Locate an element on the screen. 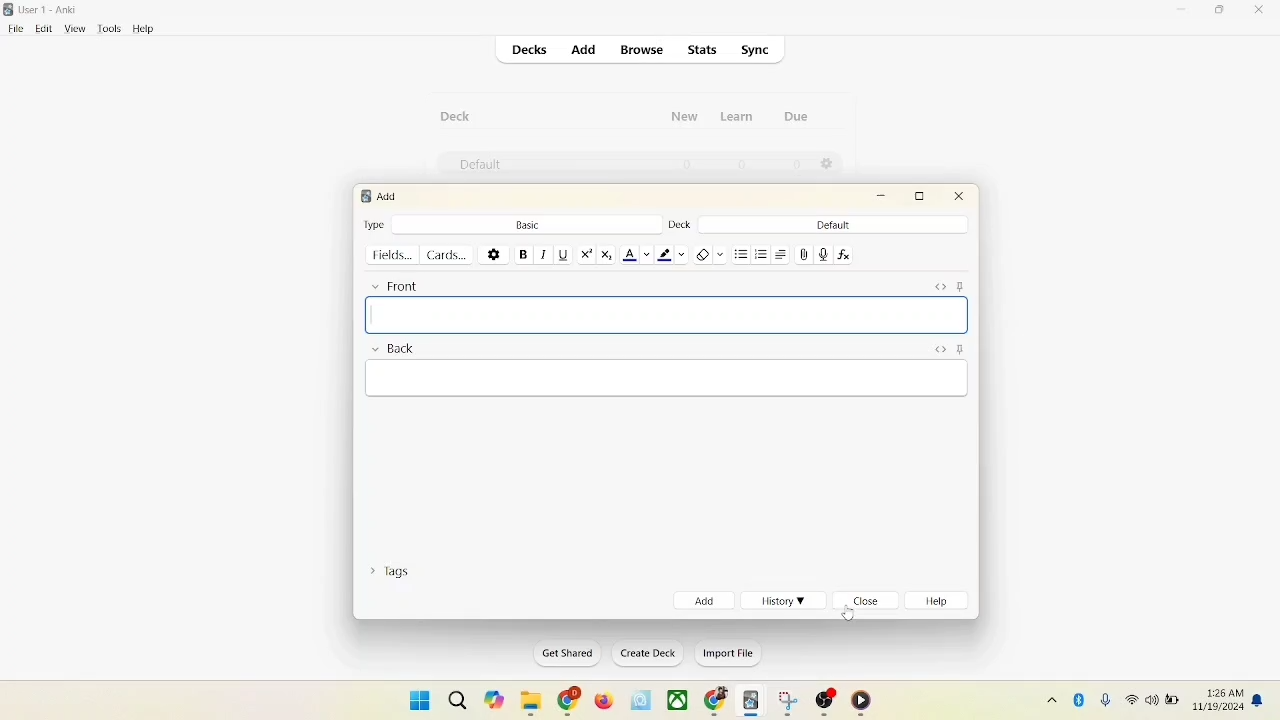 The height and width of the screenshot is (720, 1280). close is located at coordinates (960, 199).